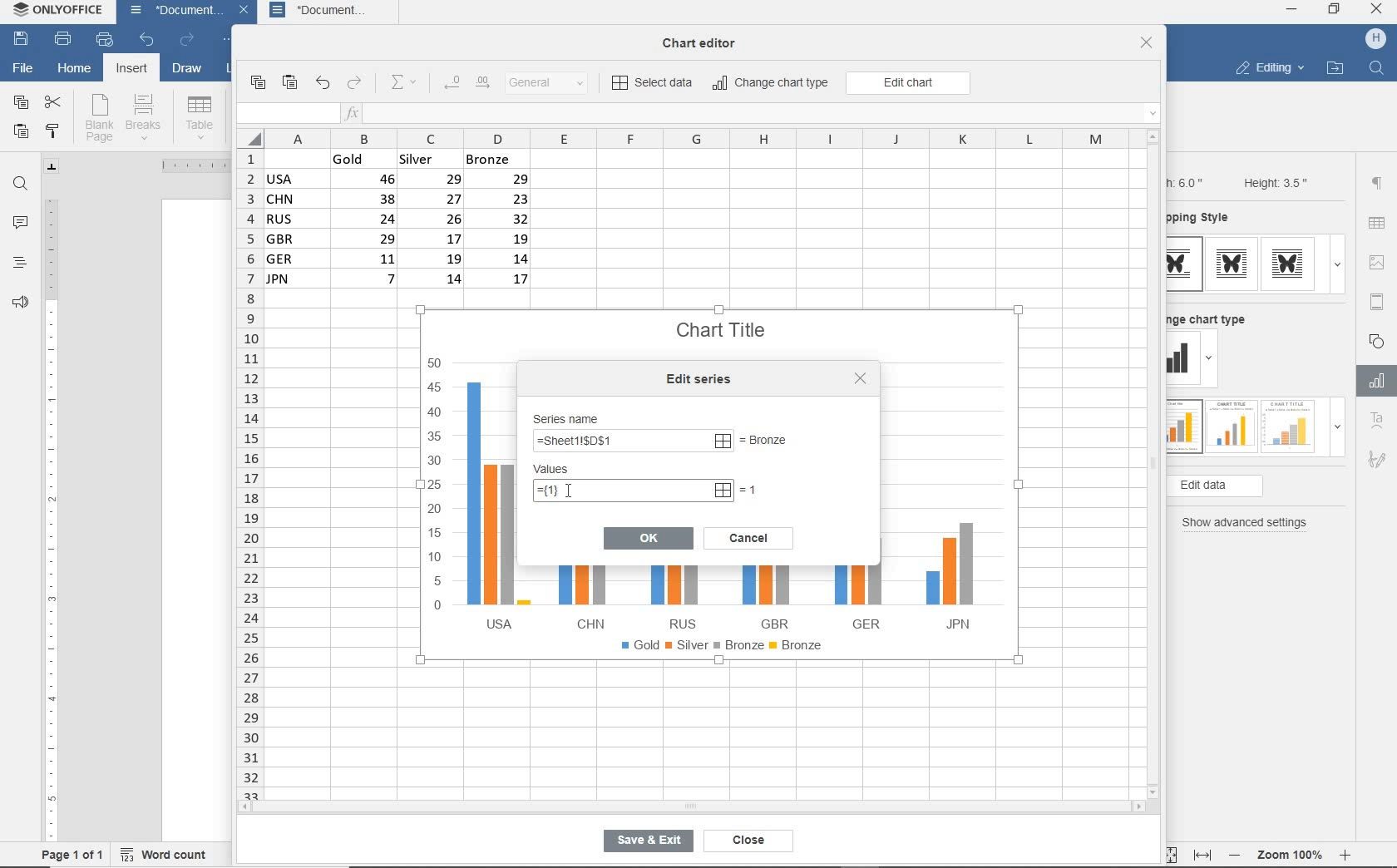 This screenshot has width=1397, height=868. What do you see at coordinates (568, 470) in the screenshot?
I see `values` at bounding box center [568, 470].